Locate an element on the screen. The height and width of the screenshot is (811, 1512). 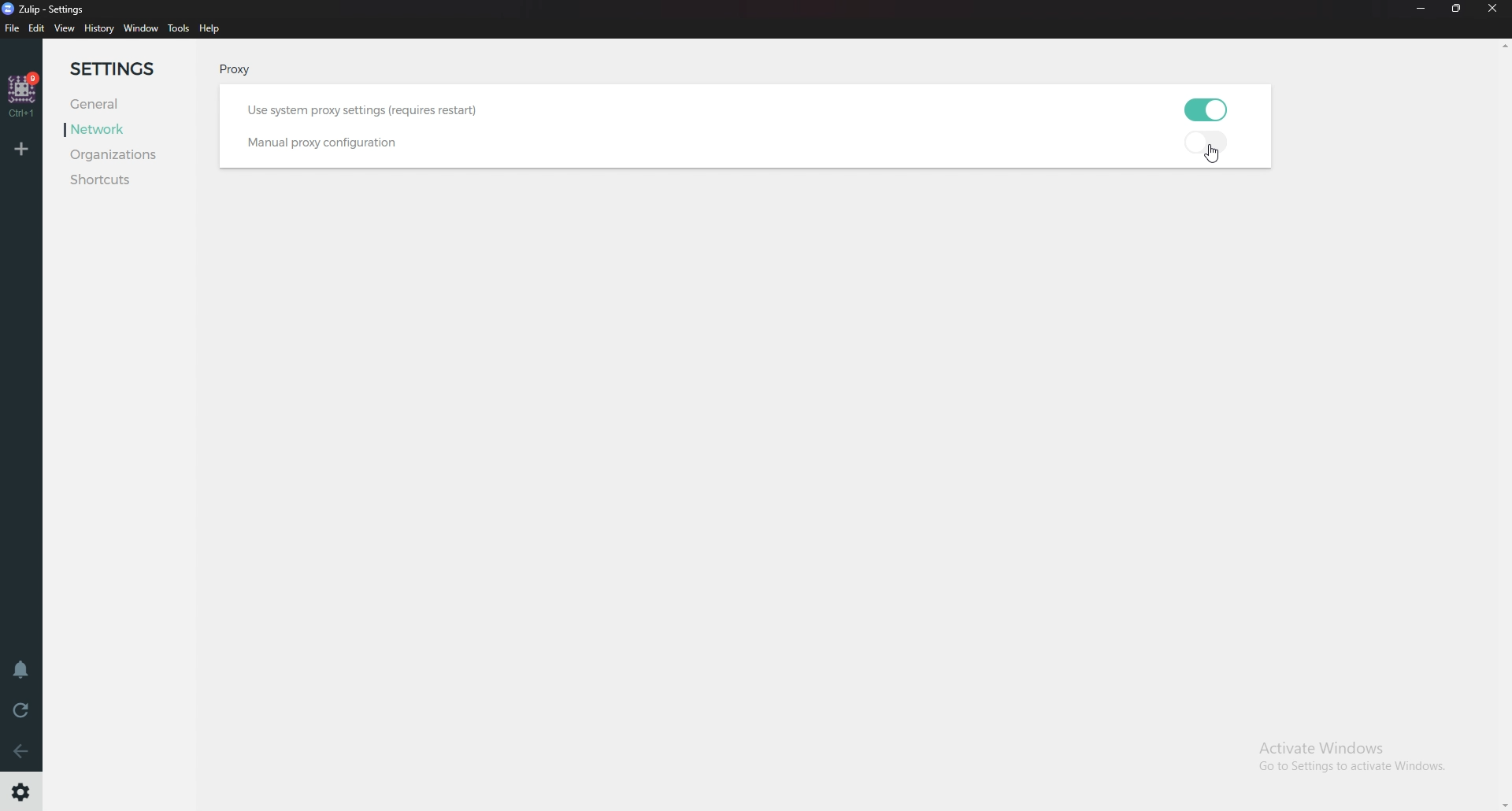
Manual proxy configuration is located at coordinates (317, 143).